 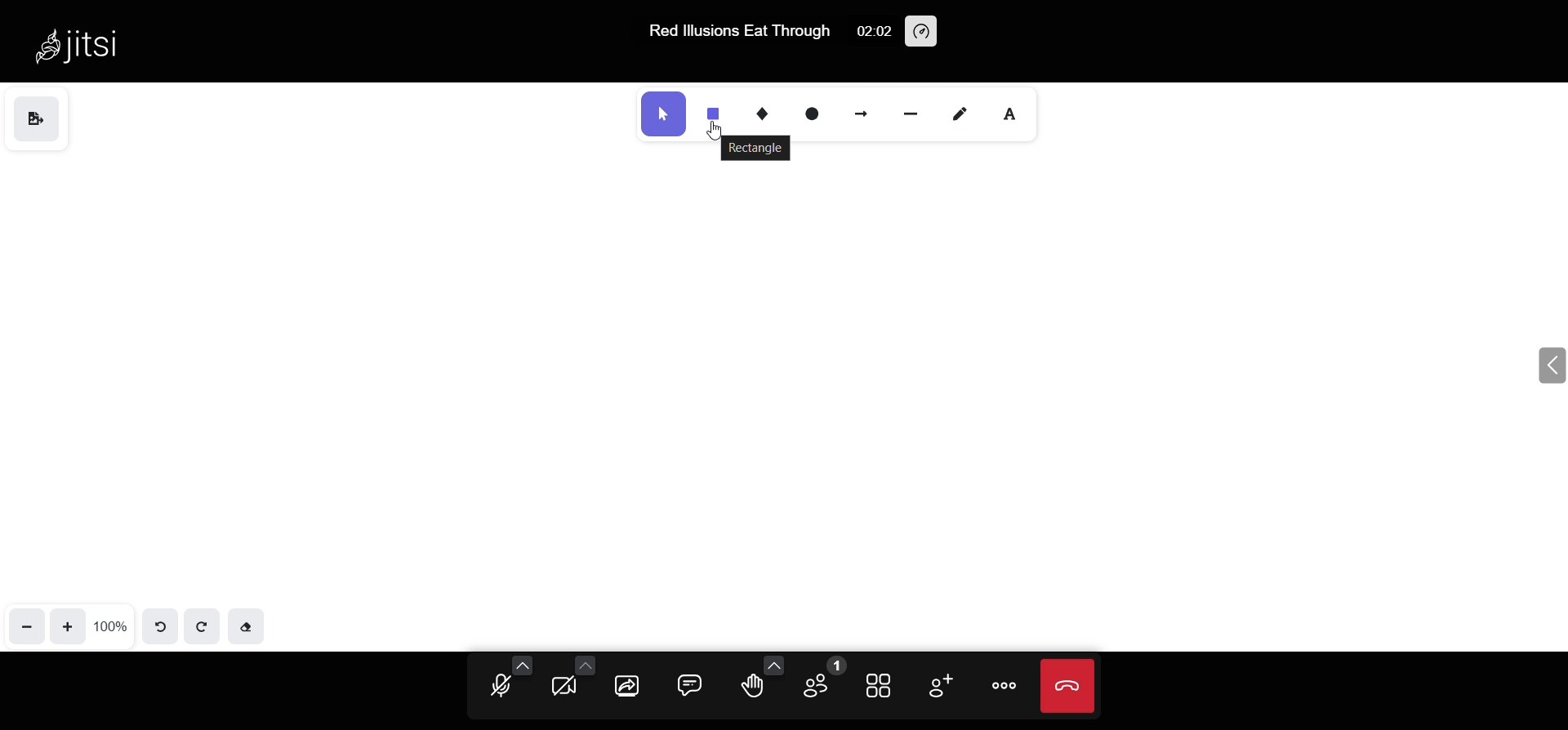 What do you see at coordinates (869, 30) in the screenshot?
I see `02:02` at bounding box center [869, 30].